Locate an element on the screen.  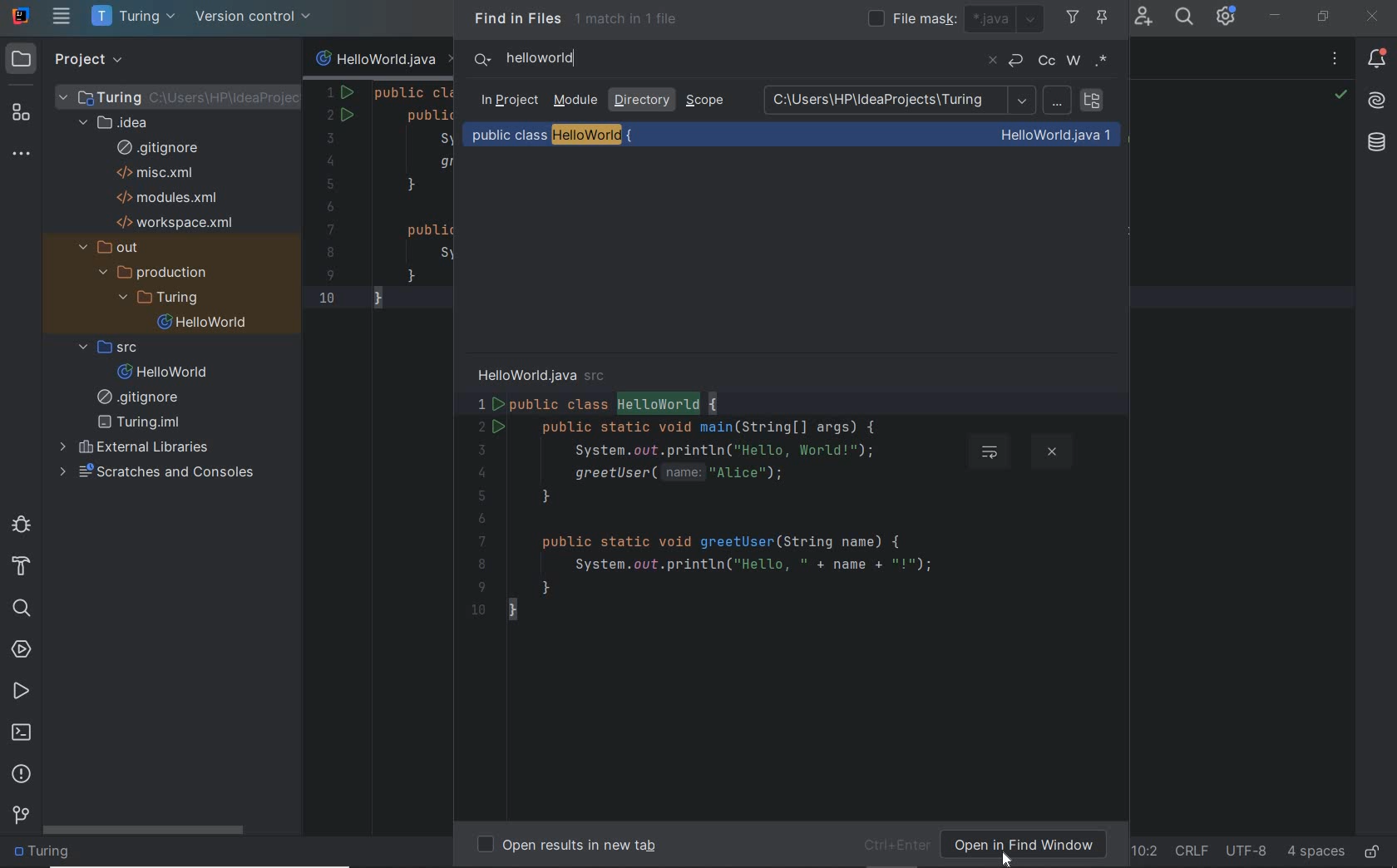
external libraries is located at coordinates (138, 449).